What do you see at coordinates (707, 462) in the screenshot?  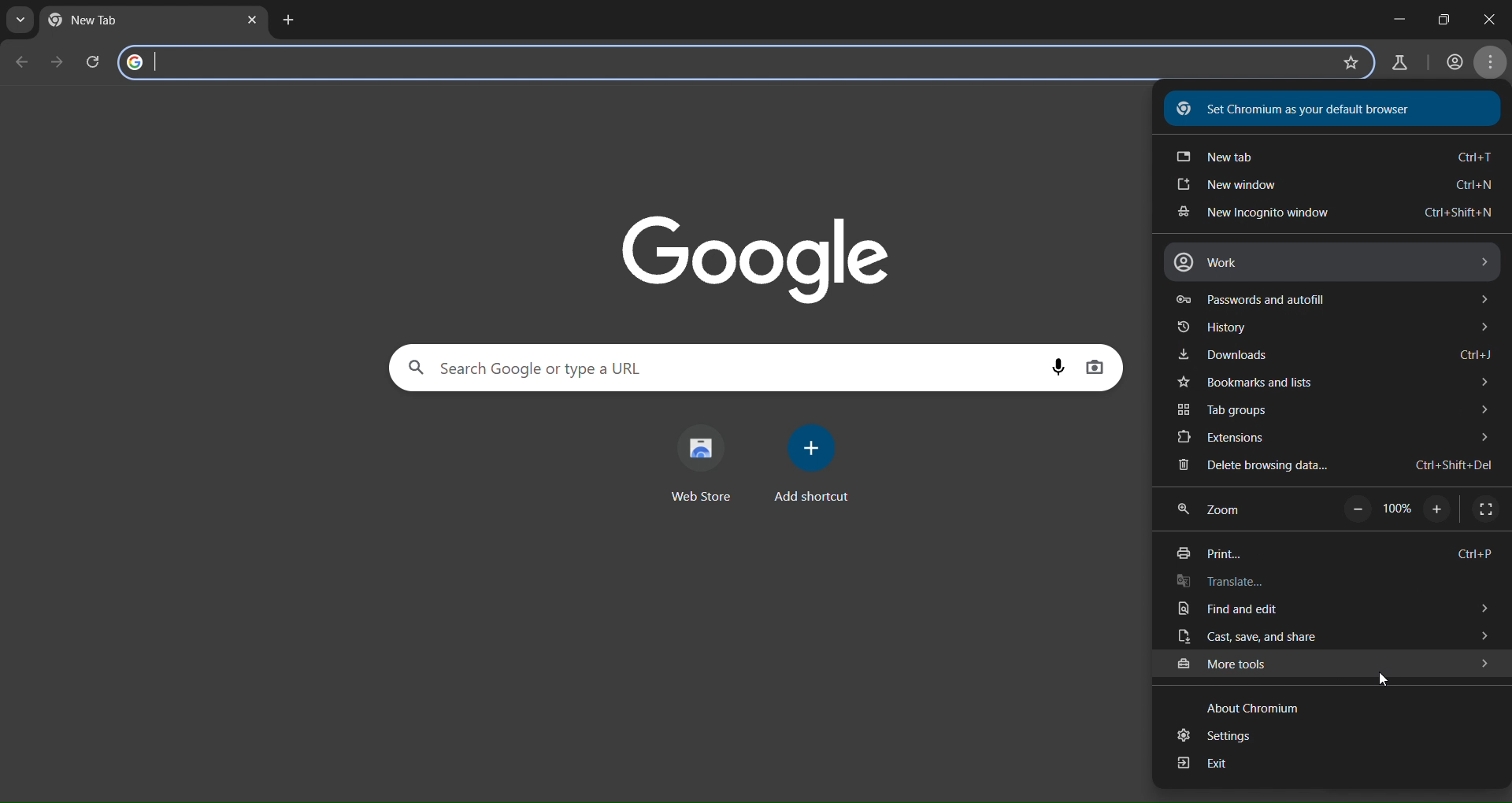 I see `web store` at bounding box center [707, 462].